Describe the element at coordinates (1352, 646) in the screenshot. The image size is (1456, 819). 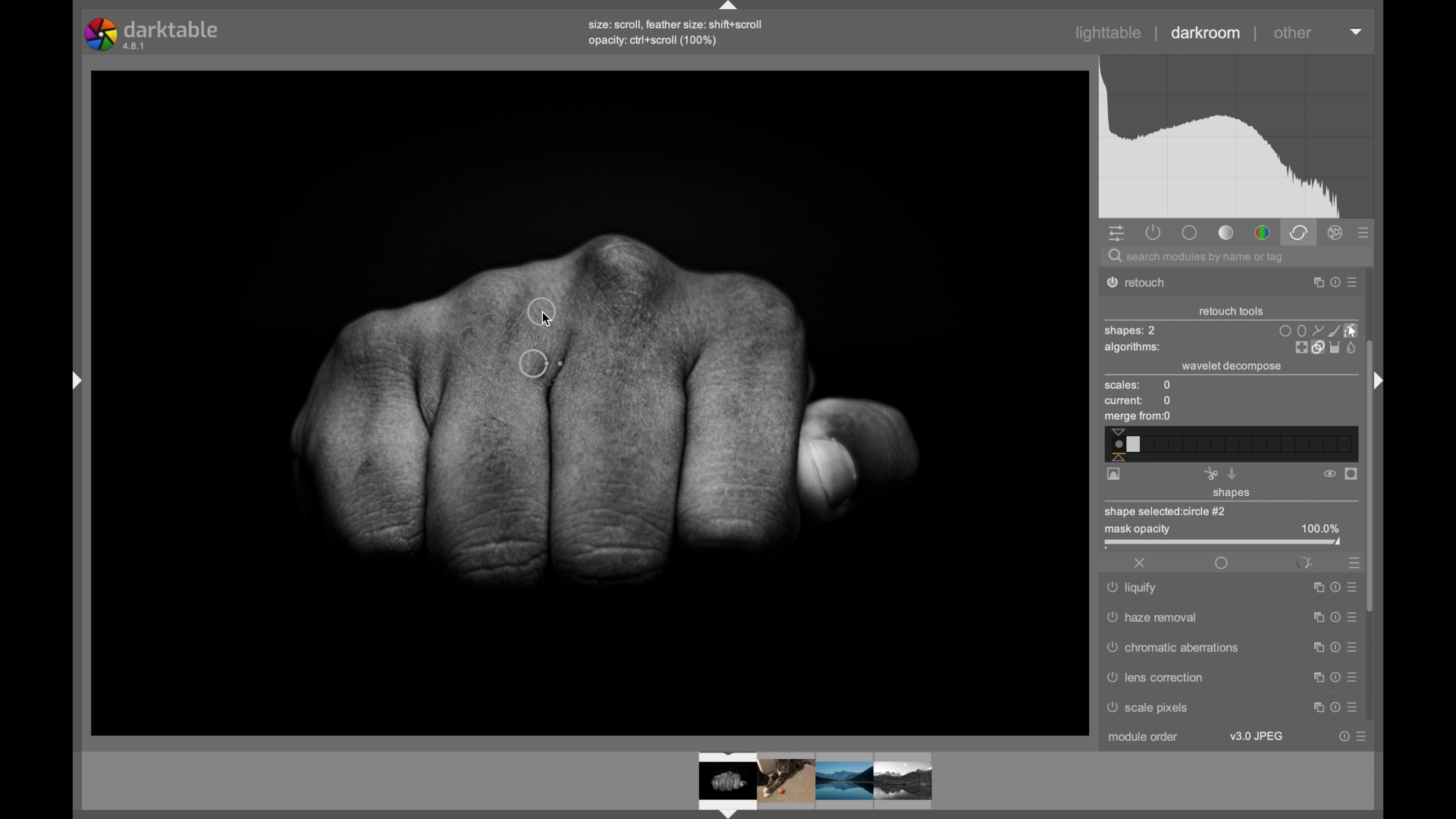
I see `more options` at that location.